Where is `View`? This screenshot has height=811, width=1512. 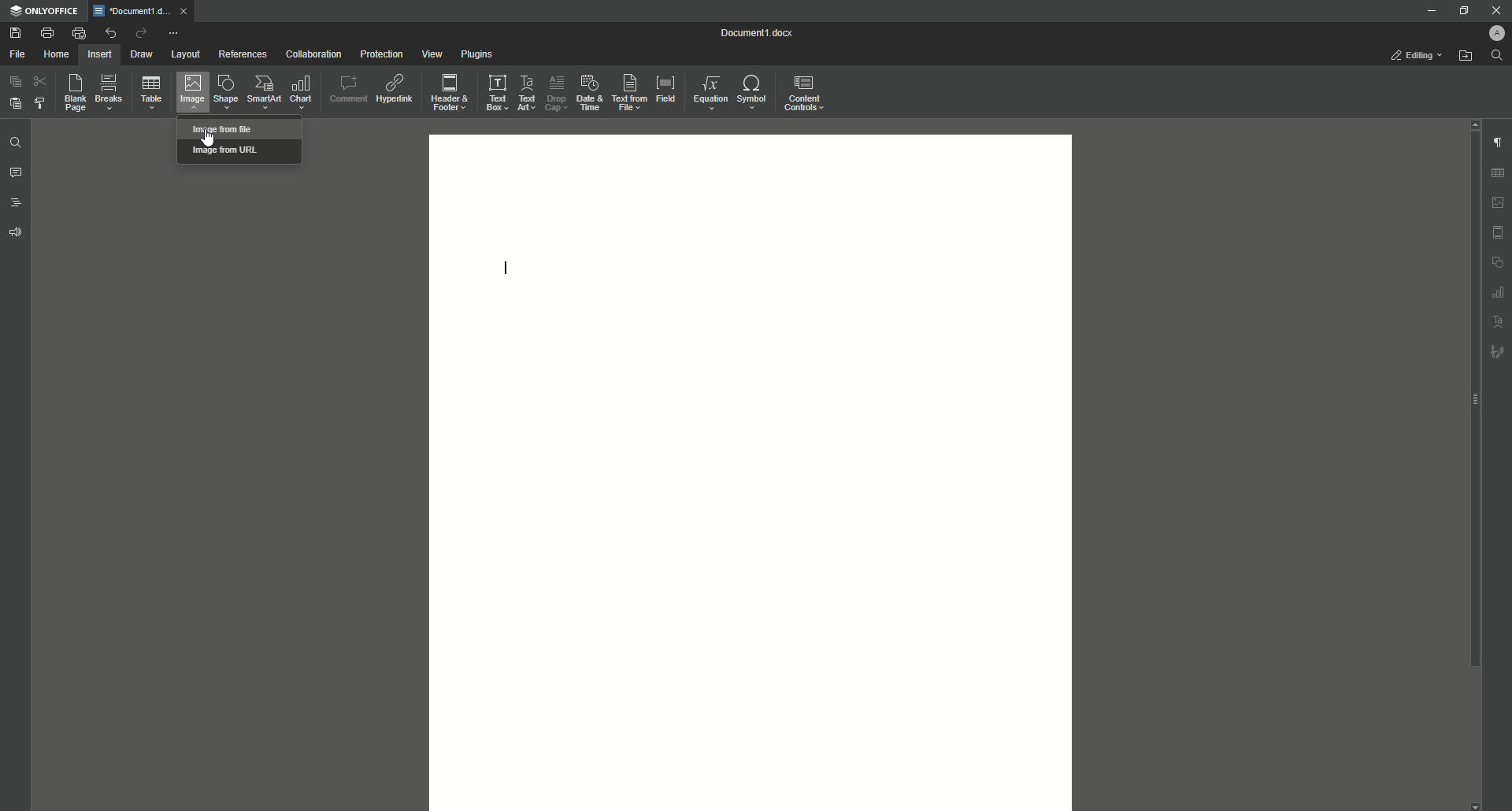
View is located at coordinates (429, 55).